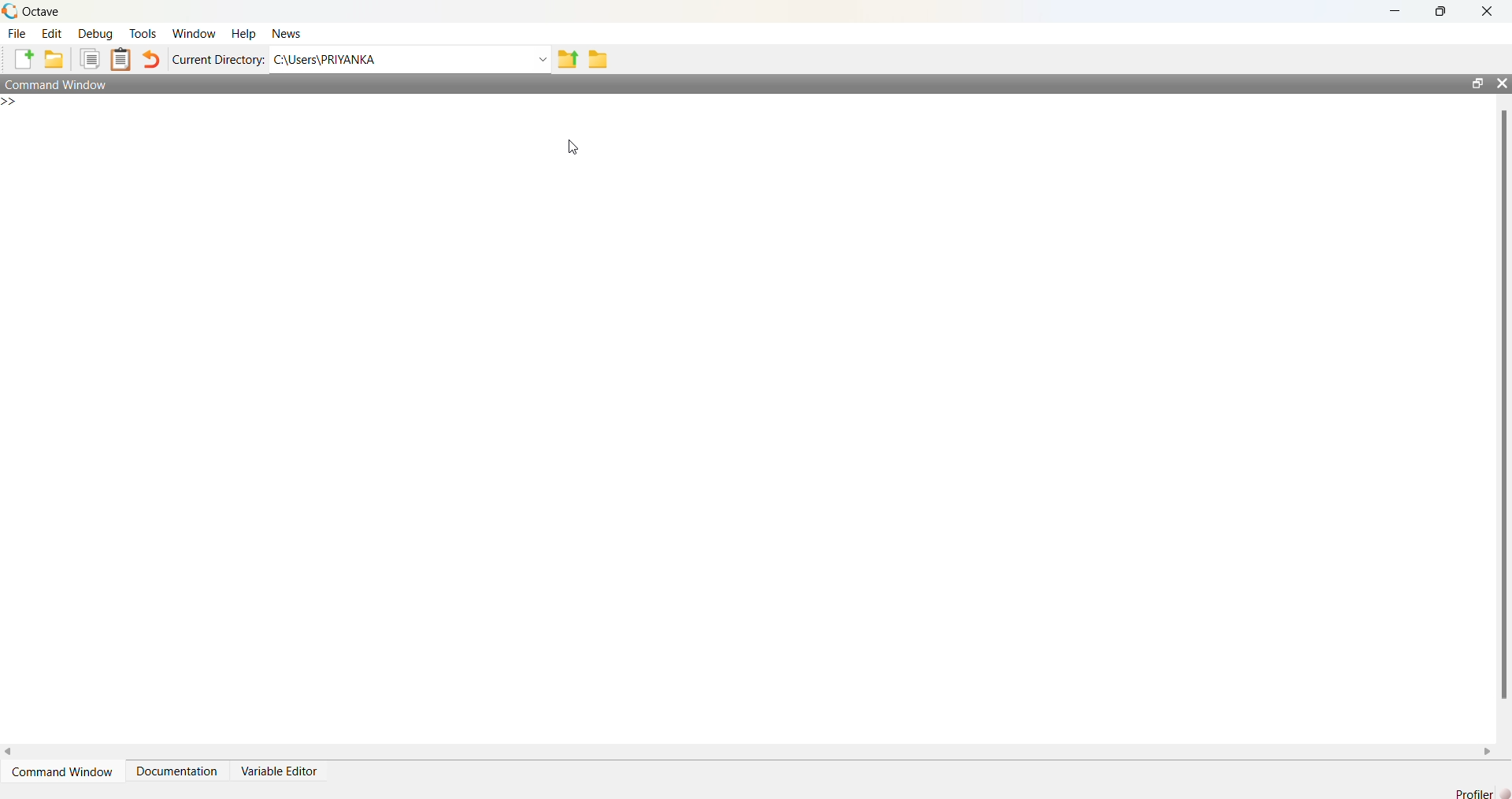  What do you see at coordinates (1440, 10) in the screenshot?
I see `restore` at bounding box center [1440, 10].